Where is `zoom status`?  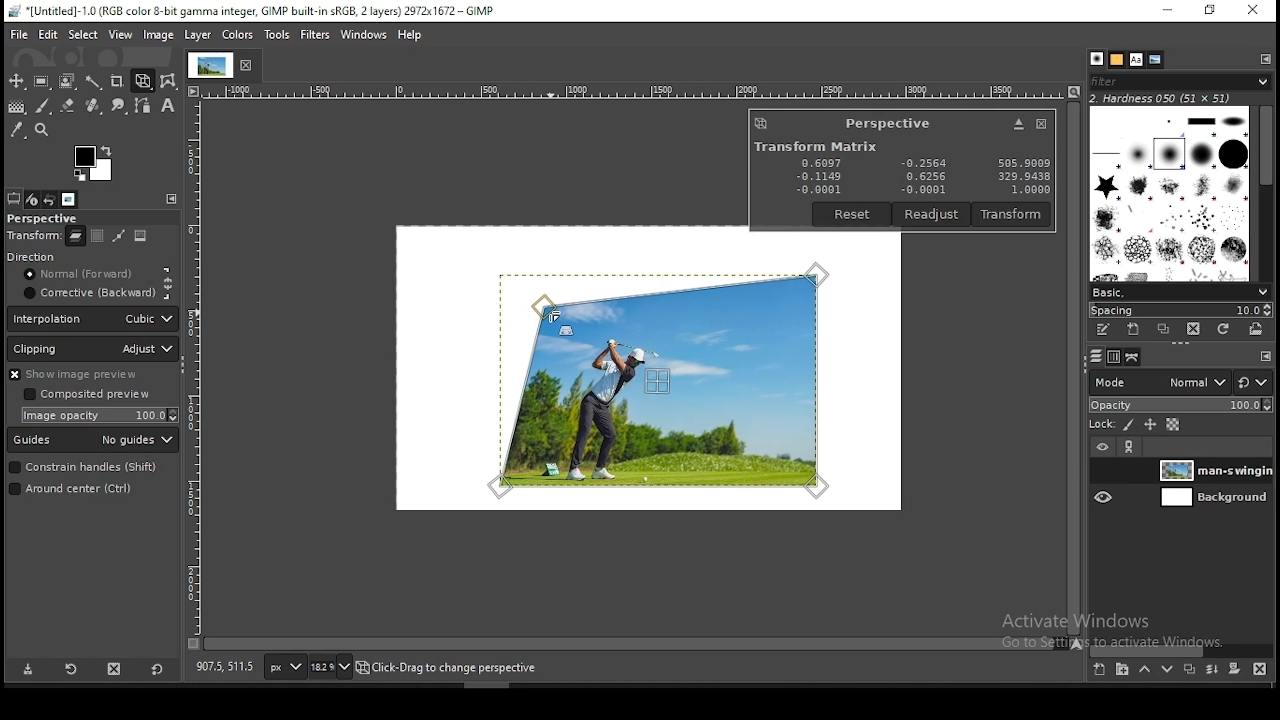 zoom status is located at coordinates (332, 666).